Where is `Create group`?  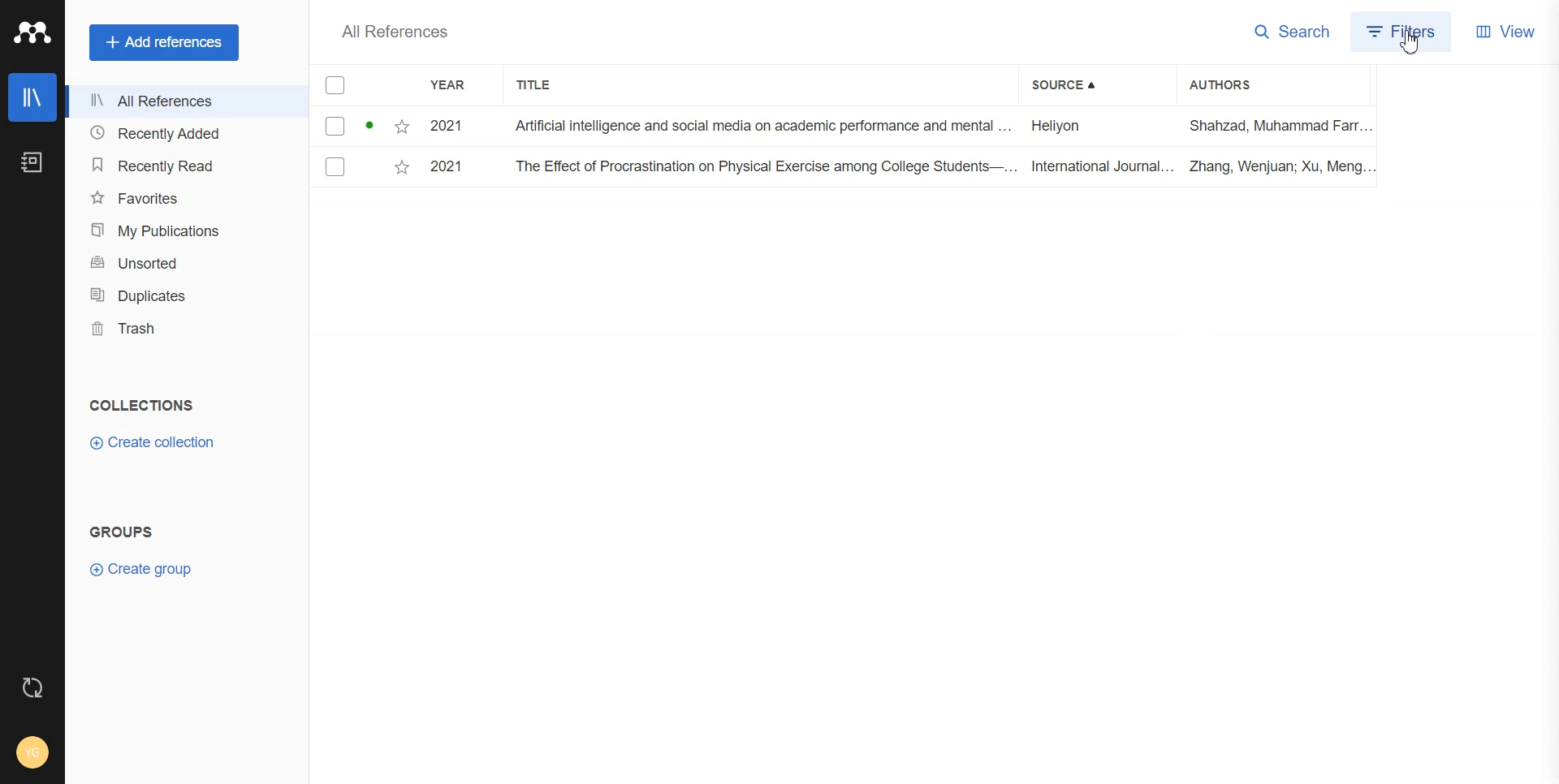
Create group is located at coordinates (145, 568).